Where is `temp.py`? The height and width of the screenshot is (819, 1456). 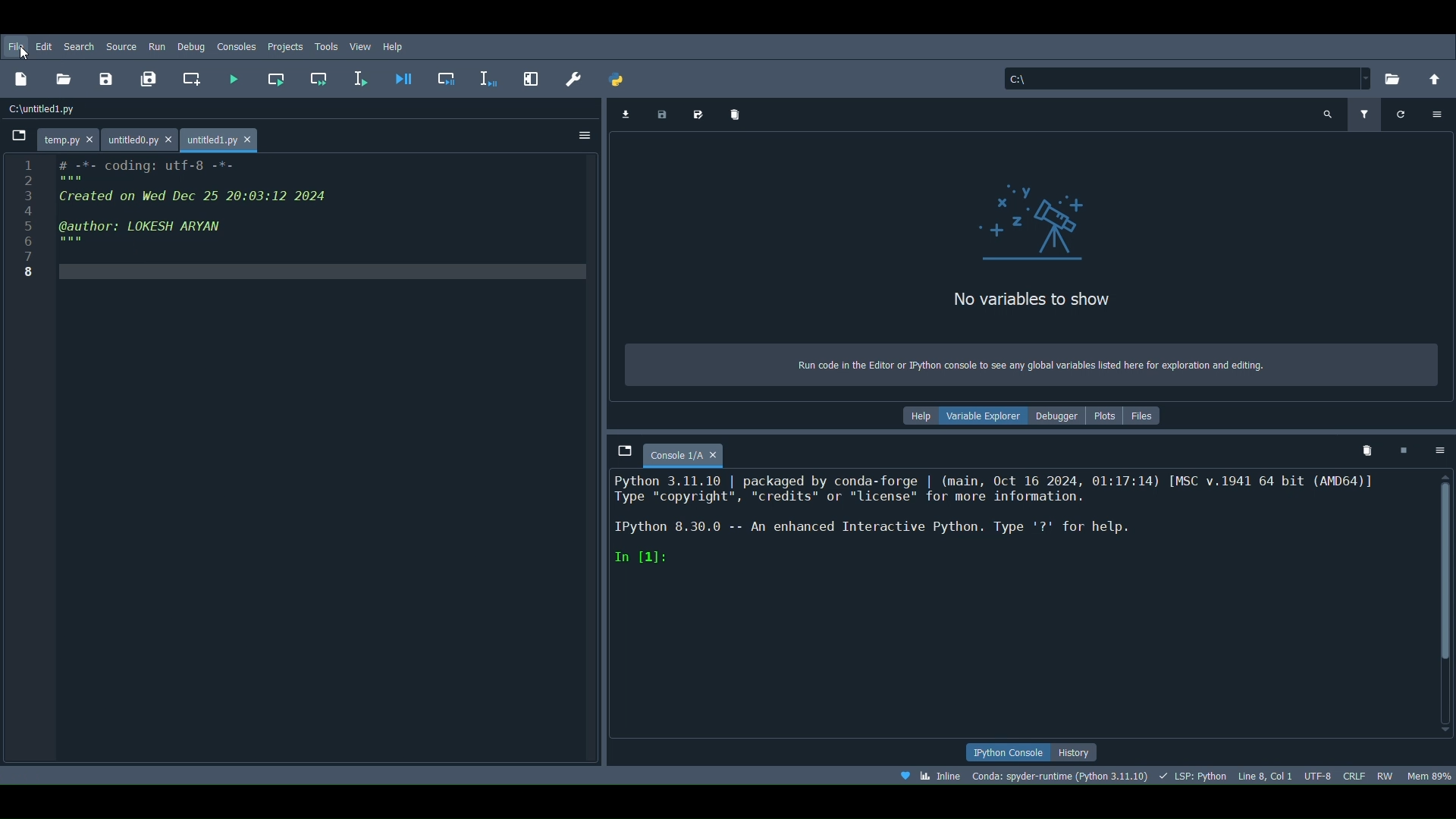 temp.py is located at coordinates (70, 136).